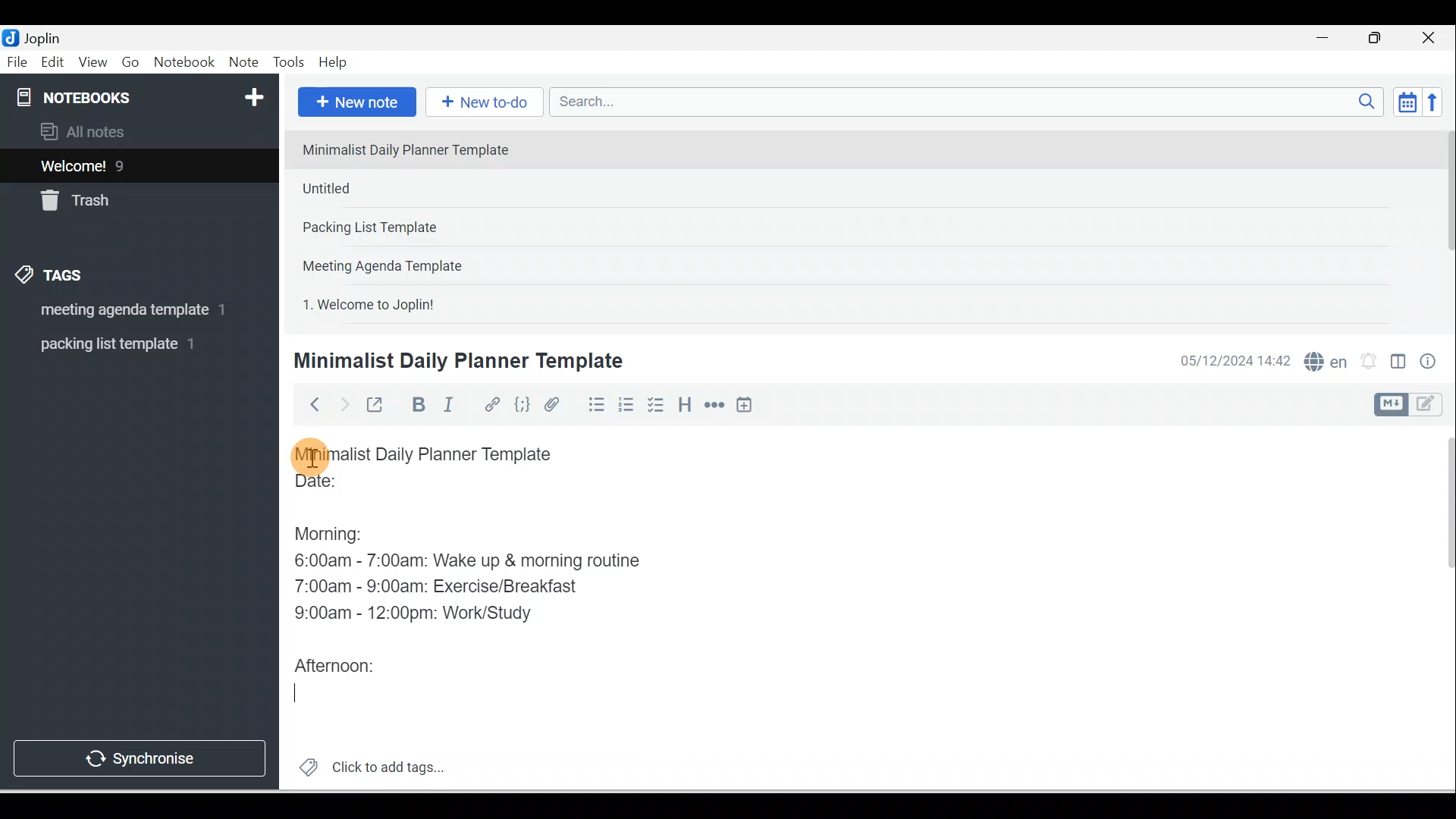  What do you see at coordinates (354, 103) in the screenshot?
I see `New note` at bounding box center [354, 103].